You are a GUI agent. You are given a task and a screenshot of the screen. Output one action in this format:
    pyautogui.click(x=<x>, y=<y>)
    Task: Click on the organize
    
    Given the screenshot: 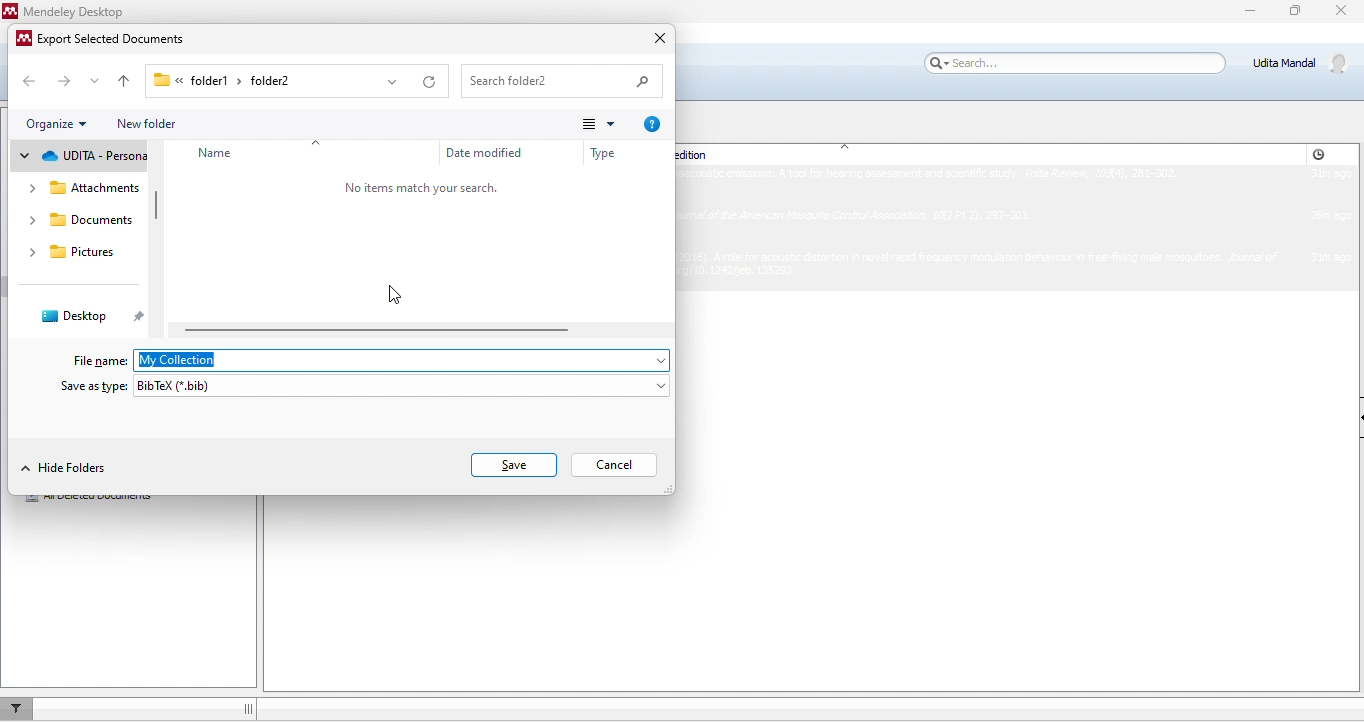 What is the action you would take?
    pyautogui.click(x=62, y=124)
    